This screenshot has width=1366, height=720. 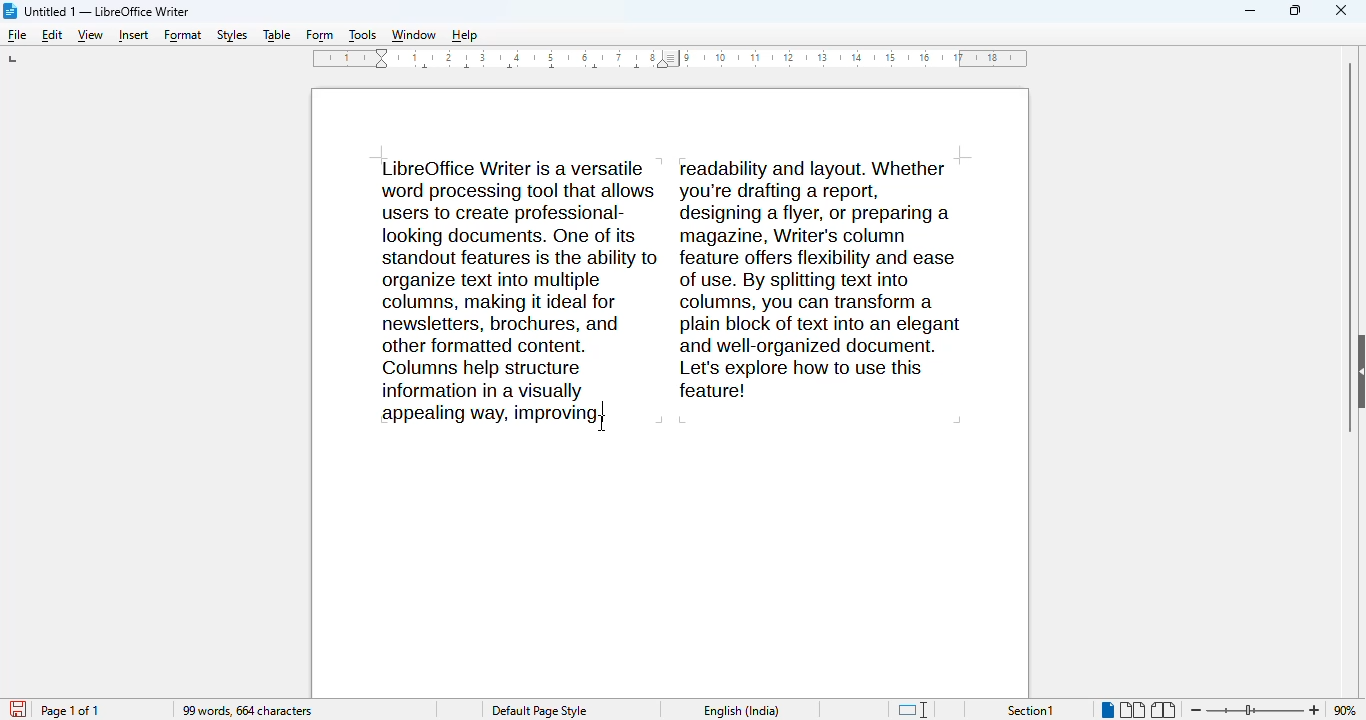 What do you see at coordinates (424, 70) in the screenshot?
I see `center tab` at bounding box center [424, 70].